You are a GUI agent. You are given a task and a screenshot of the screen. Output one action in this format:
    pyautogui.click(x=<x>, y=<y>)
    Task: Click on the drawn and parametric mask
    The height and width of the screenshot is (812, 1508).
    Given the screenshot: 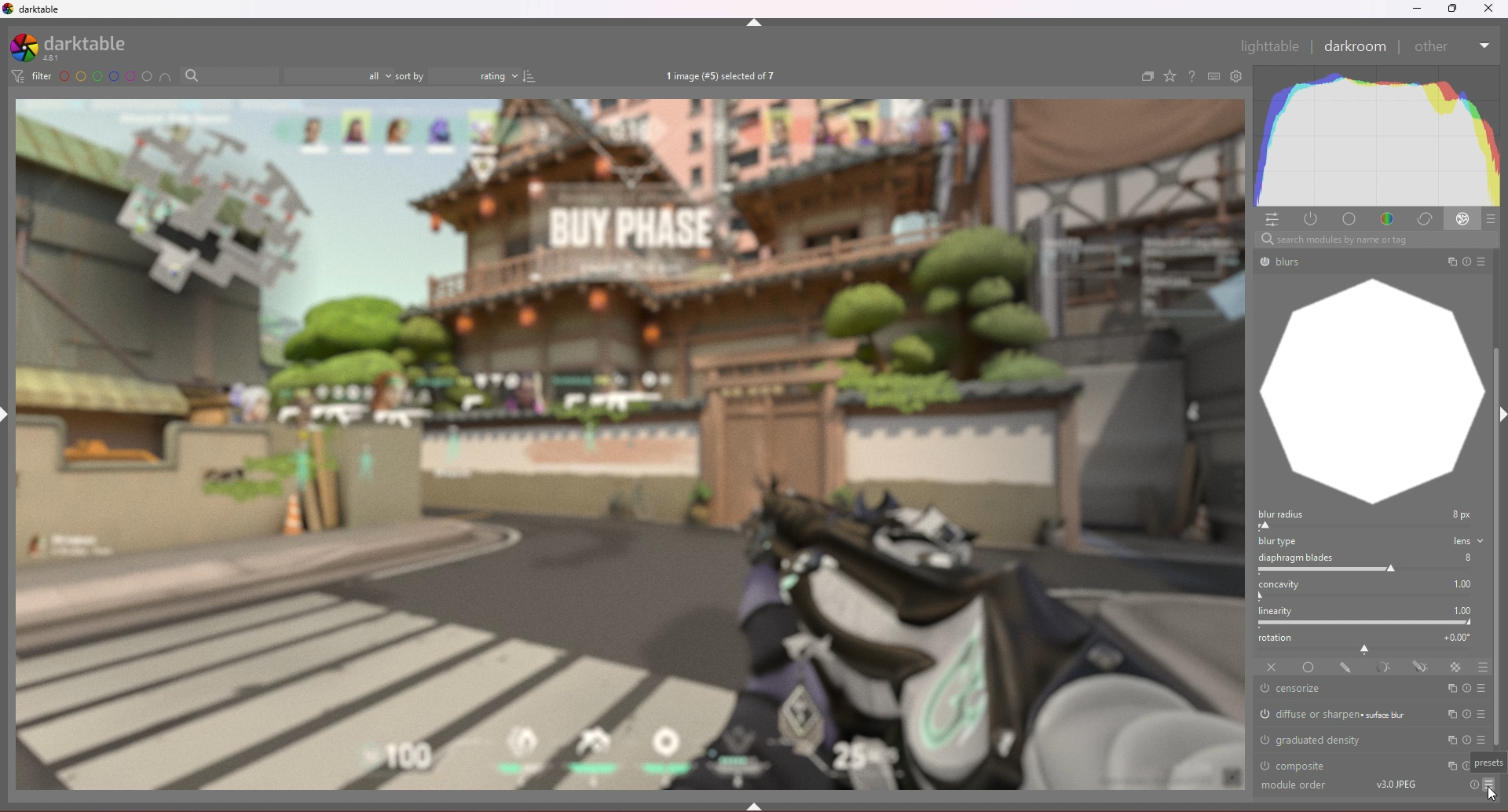 What is the action you would take?
    pyautogui.click(x=1422, y=667)
    